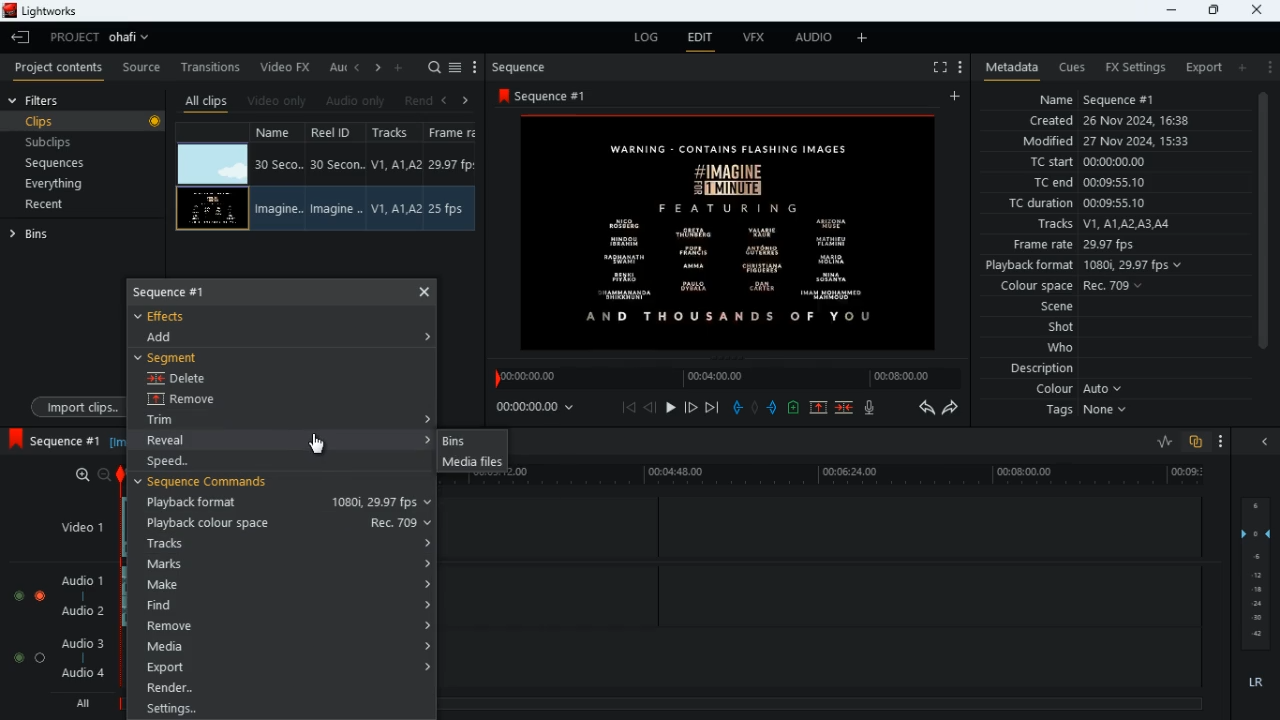  I want to click on source, so click(142, 68).